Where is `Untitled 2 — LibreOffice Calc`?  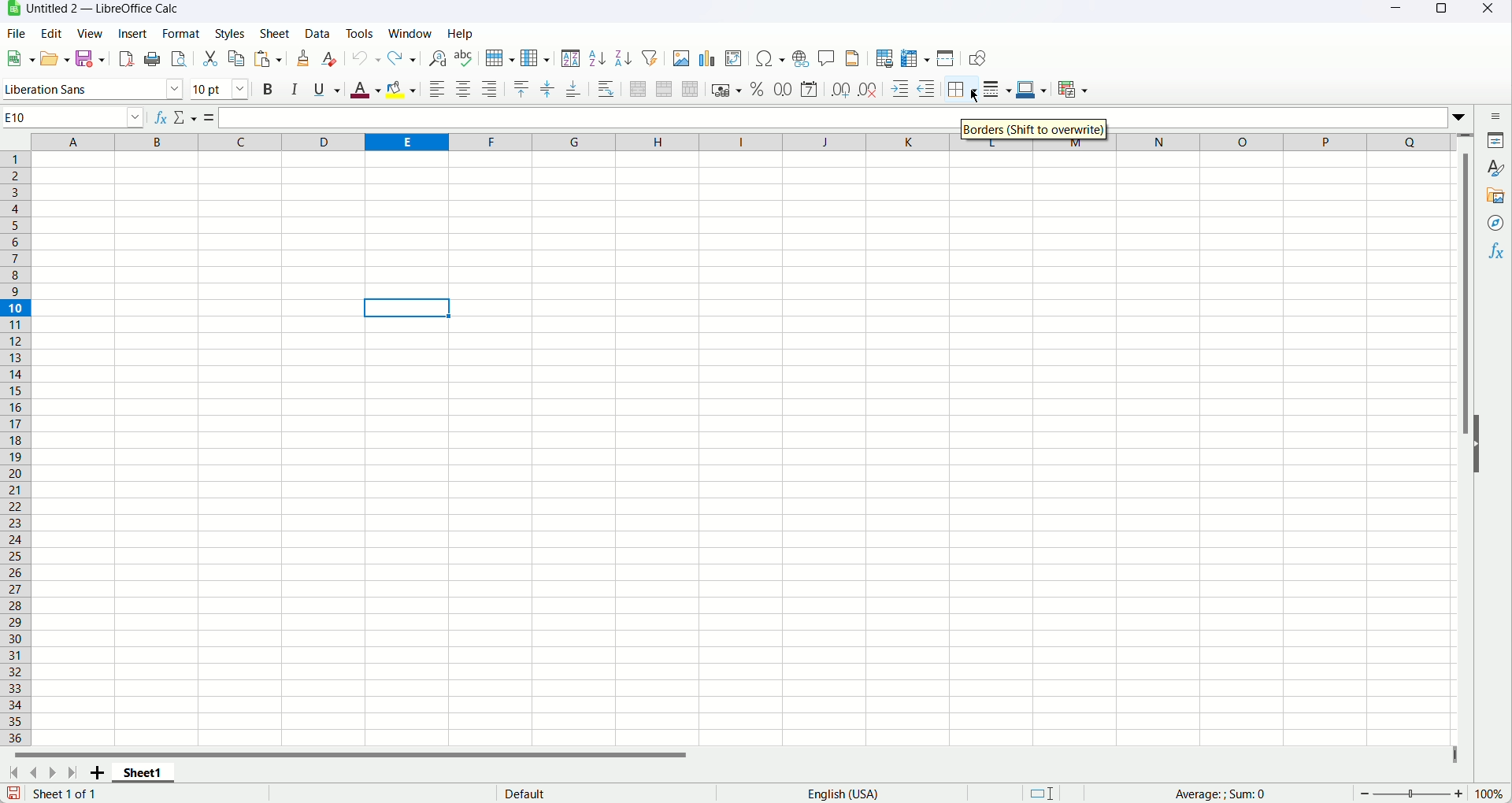
Untitled 2 — LibreOffice Calc is located at coordinates (103, 9).